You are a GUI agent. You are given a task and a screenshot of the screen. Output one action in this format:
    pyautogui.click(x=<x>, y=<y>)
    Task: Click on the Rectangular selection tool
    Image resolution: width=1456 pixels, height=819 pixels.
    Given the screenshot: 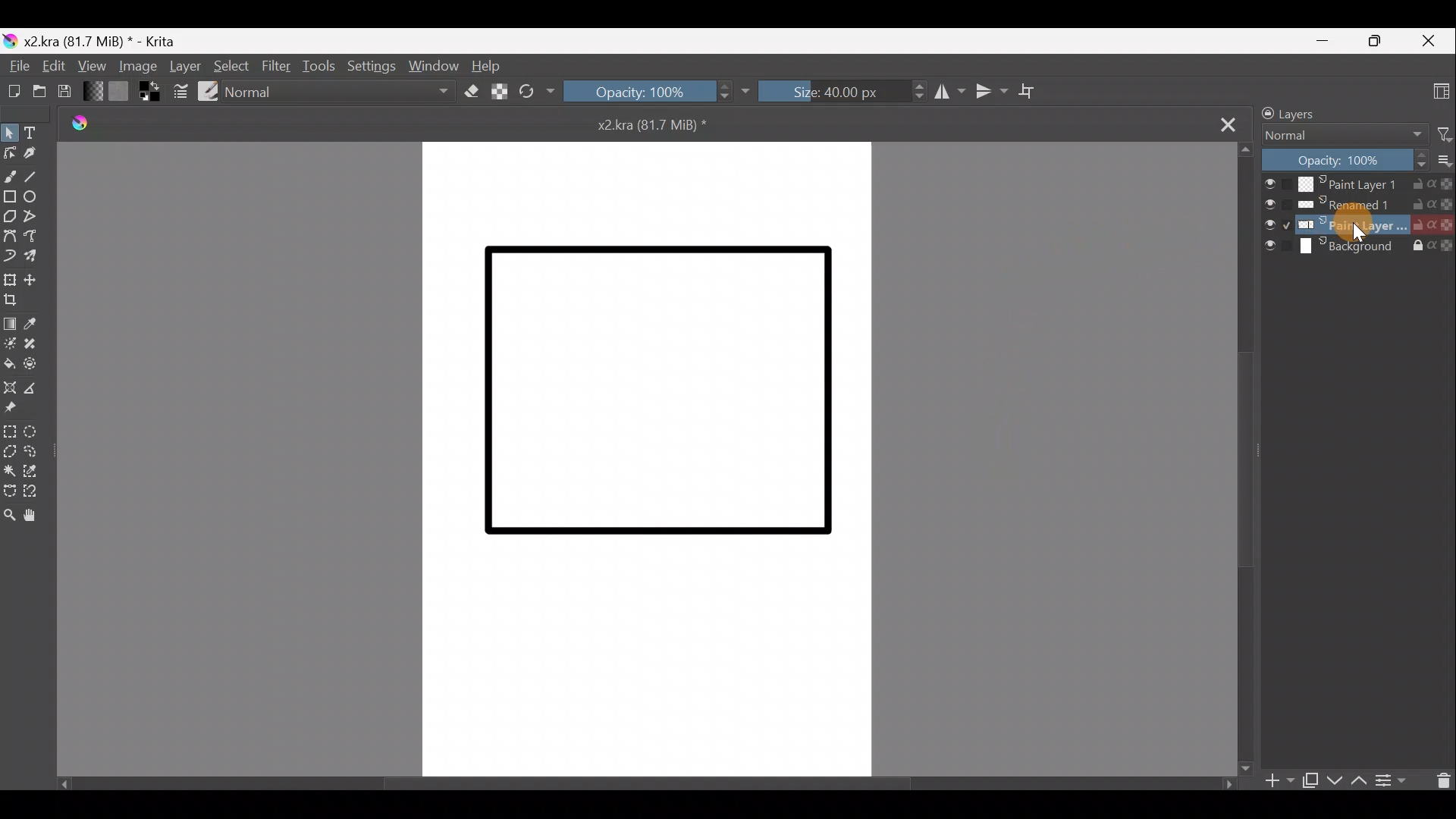 What is the action you would take?
    pyautogui.click(x=10, y=431)
    